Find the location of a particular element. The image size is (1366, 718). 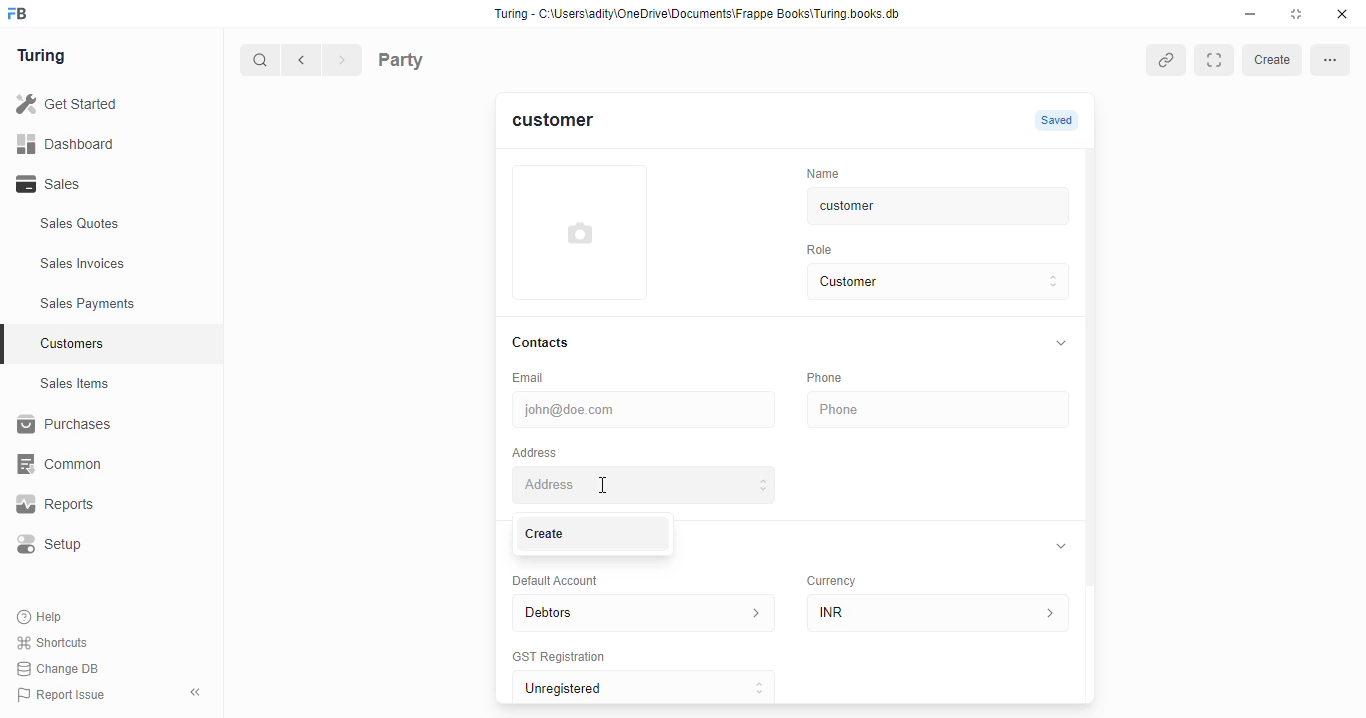

Debtors is located at coordinates (640, 611).